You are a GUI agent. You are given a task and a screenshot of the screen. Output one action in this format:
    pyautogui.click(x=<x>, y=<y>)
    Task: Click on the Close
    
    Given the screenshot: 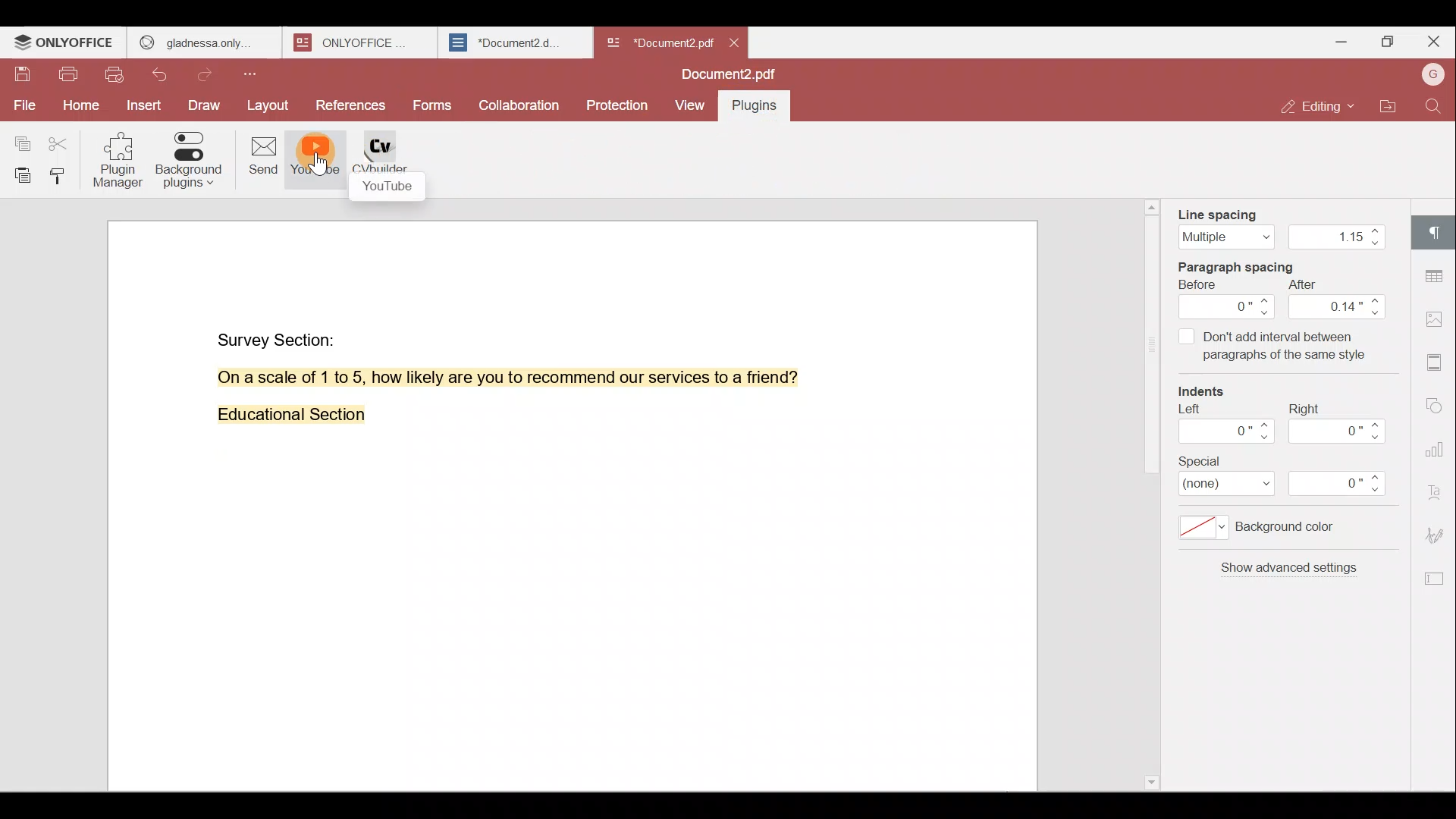 What is the action you would take?
    pyautogui.click(x=1433, y=42)
    